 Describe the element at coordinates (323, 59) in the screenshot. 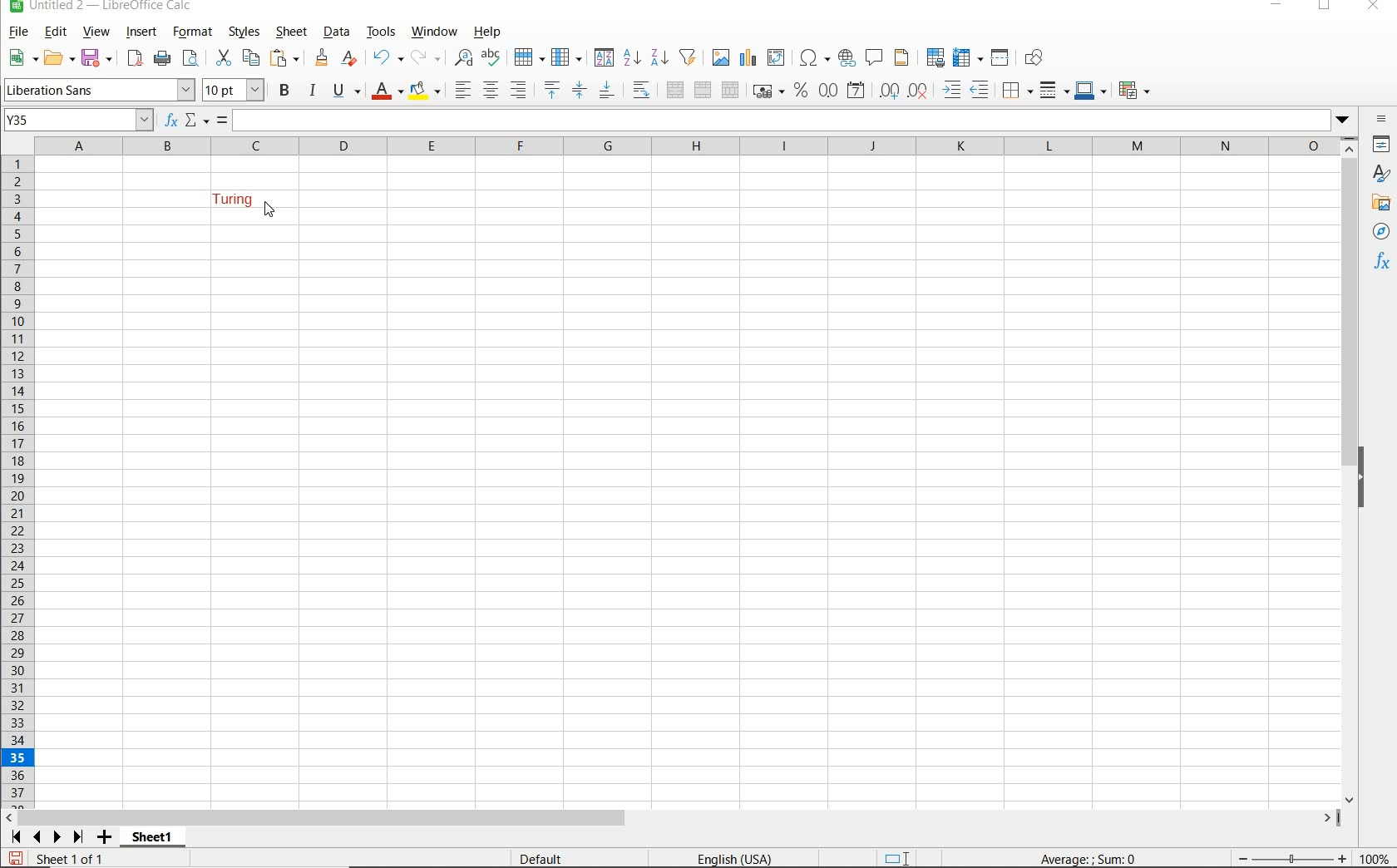

I see `CLEAR FORMATTING` at that location.